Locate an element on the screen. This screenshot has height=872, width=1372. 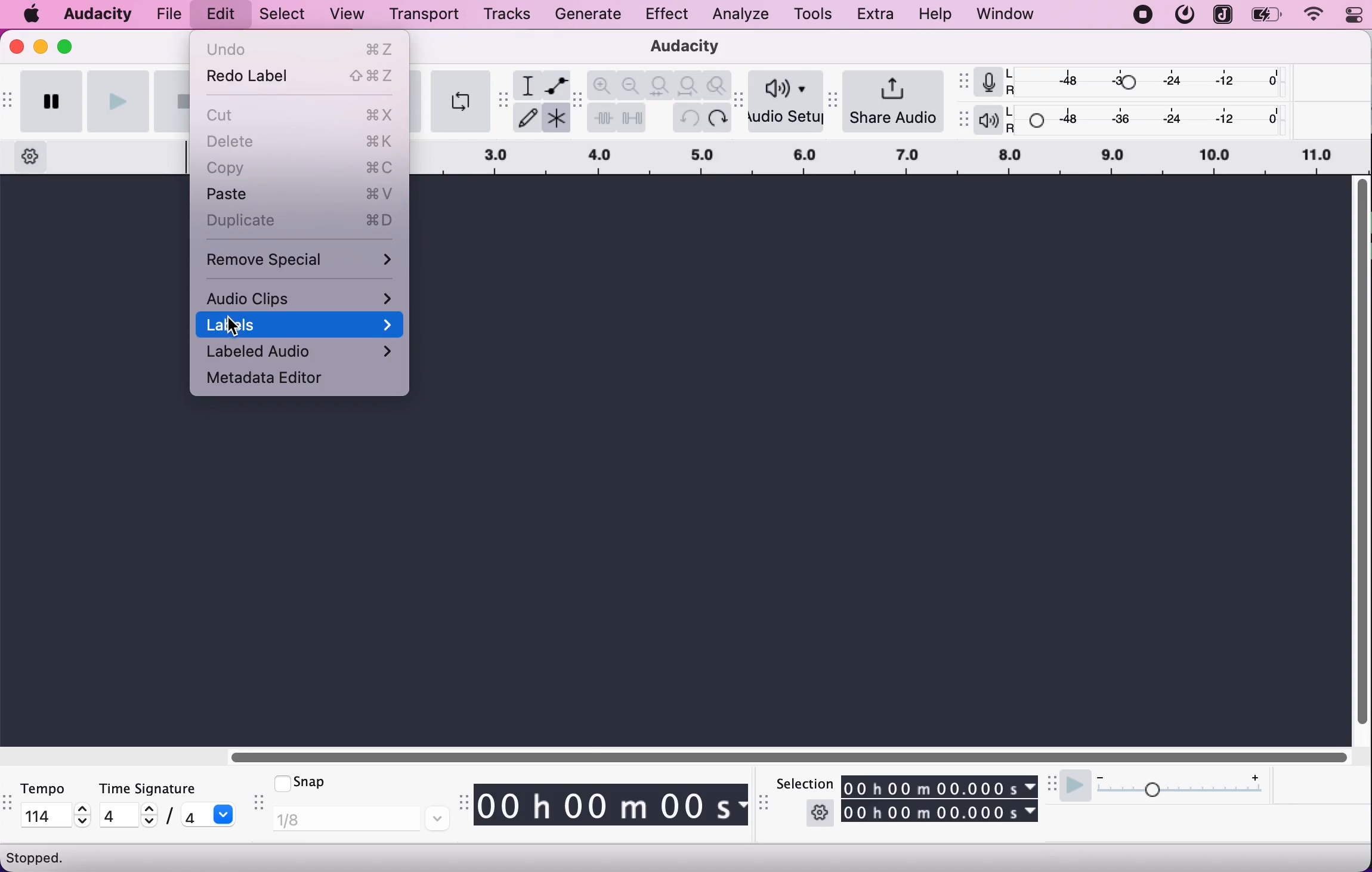
share audio is located at coordinates (897, 100).